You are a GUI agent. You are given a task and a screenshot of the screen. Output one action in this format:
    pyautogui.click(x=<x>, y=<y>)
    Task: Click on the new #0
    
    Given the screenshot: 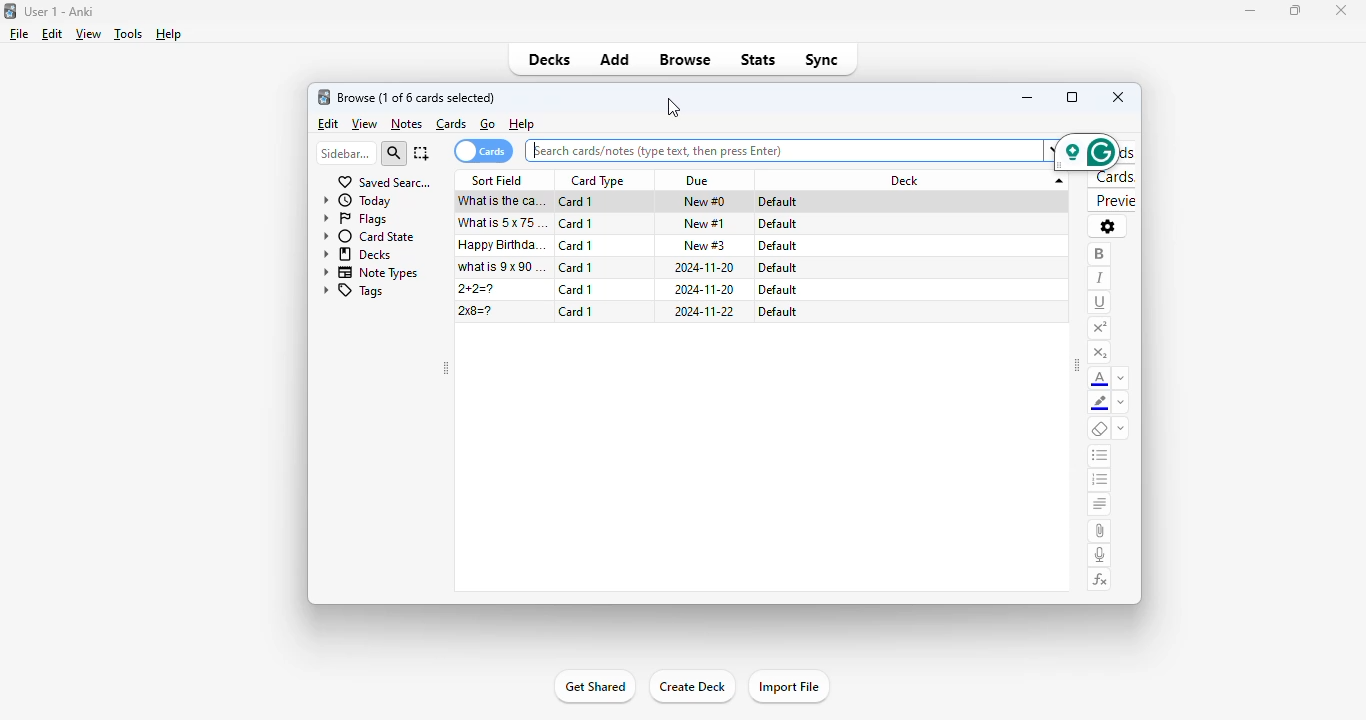 What is the action you would take?
    pyautogui.click(x=705, y=201)
    